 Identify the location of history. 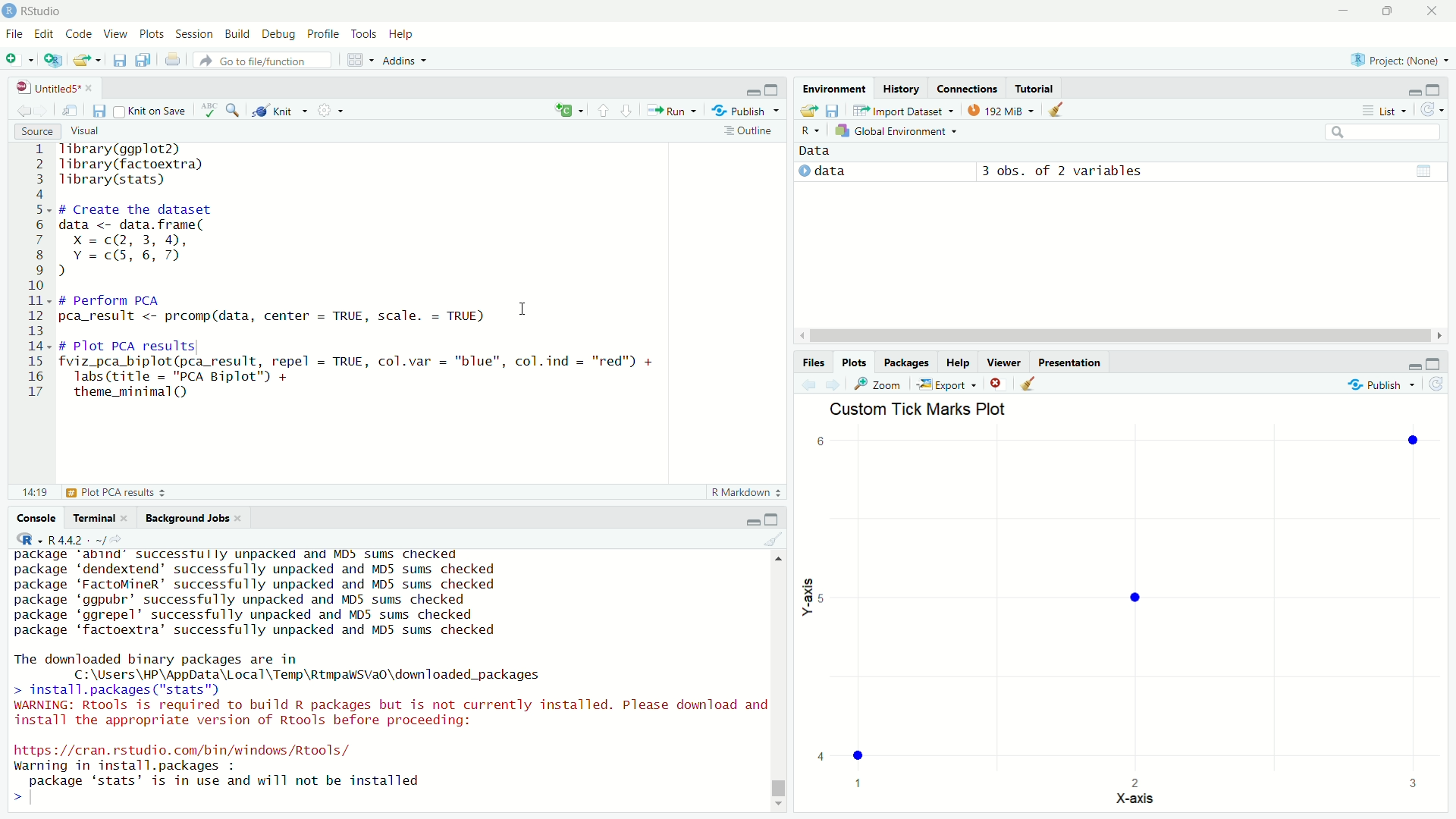
(902, 89).